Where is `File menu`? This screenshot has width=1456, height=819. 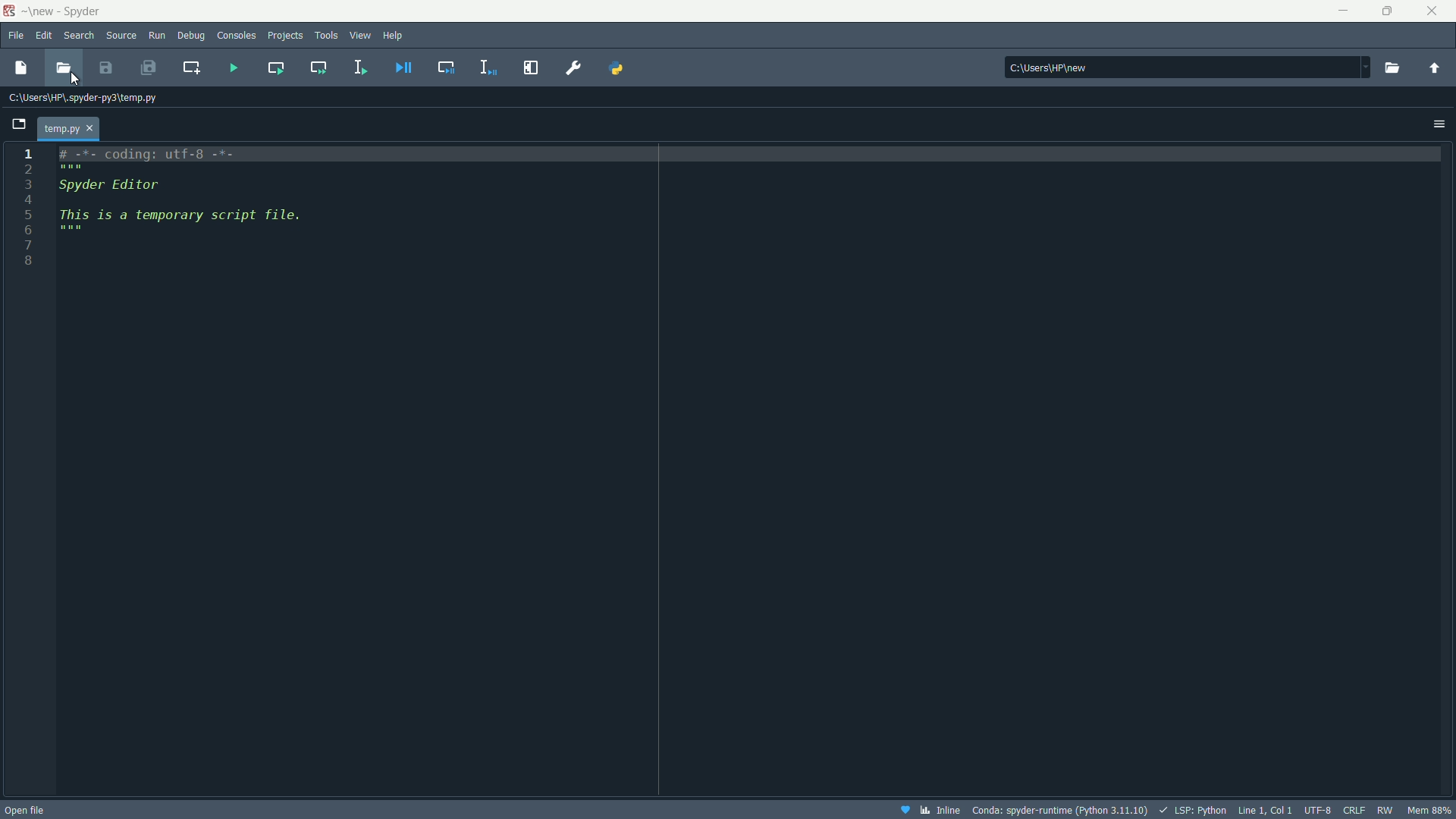
File menu is located at coordinates (17, 35).